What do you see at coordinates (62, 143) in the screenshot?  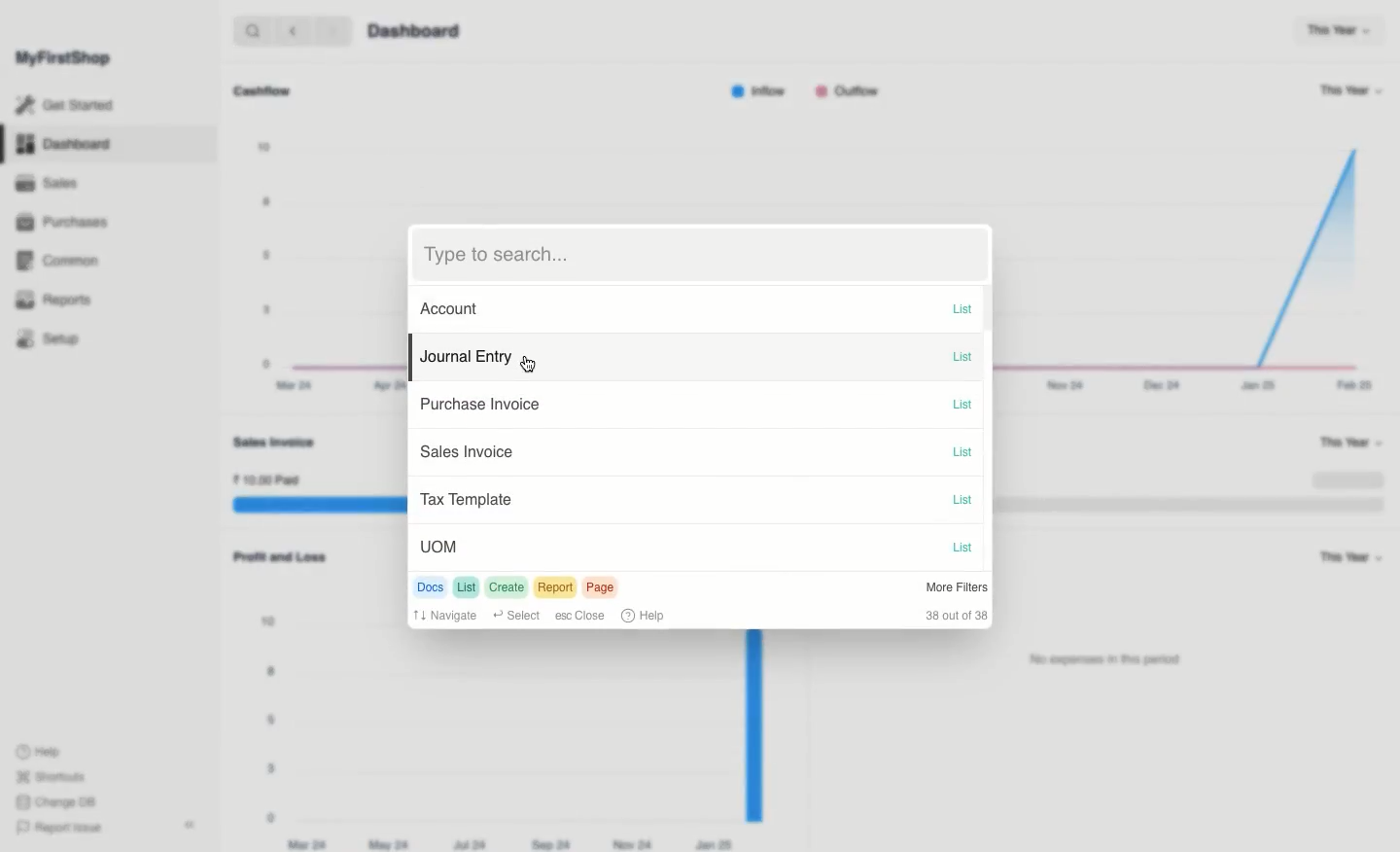 I see `Dashboard` at bounding box center [62, 143].